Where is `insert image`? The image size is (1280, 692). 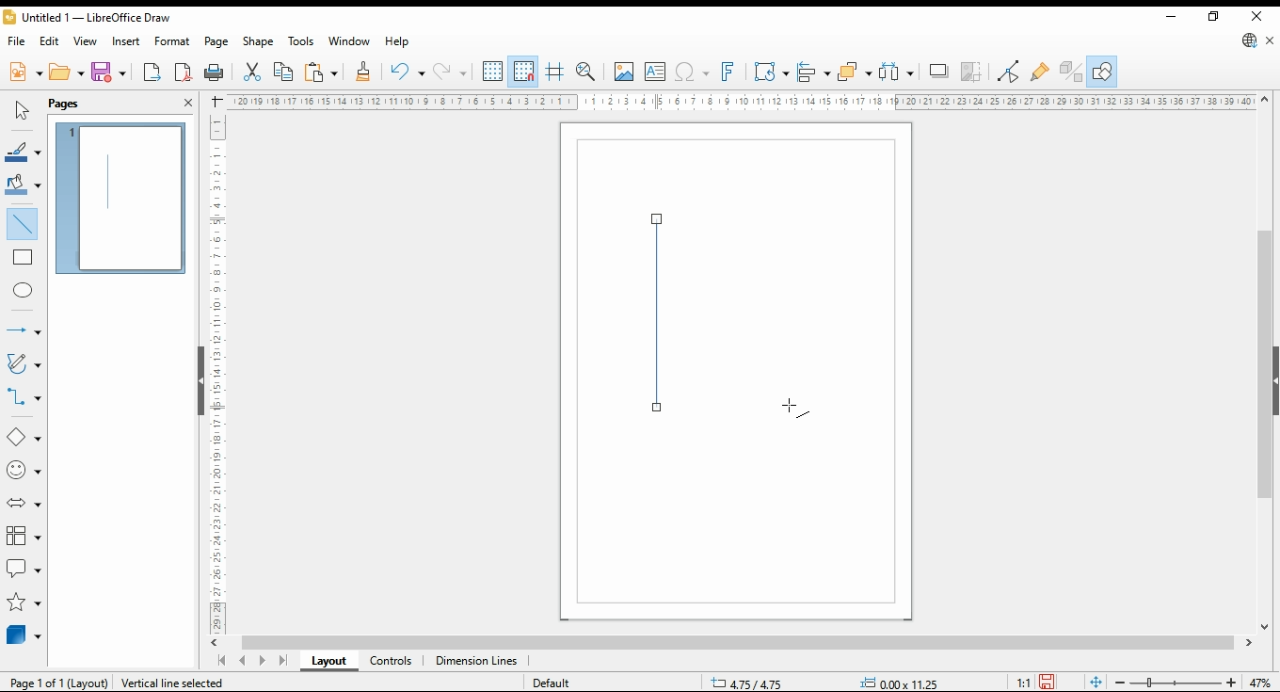 insert image is located at coordinates (623, 71).